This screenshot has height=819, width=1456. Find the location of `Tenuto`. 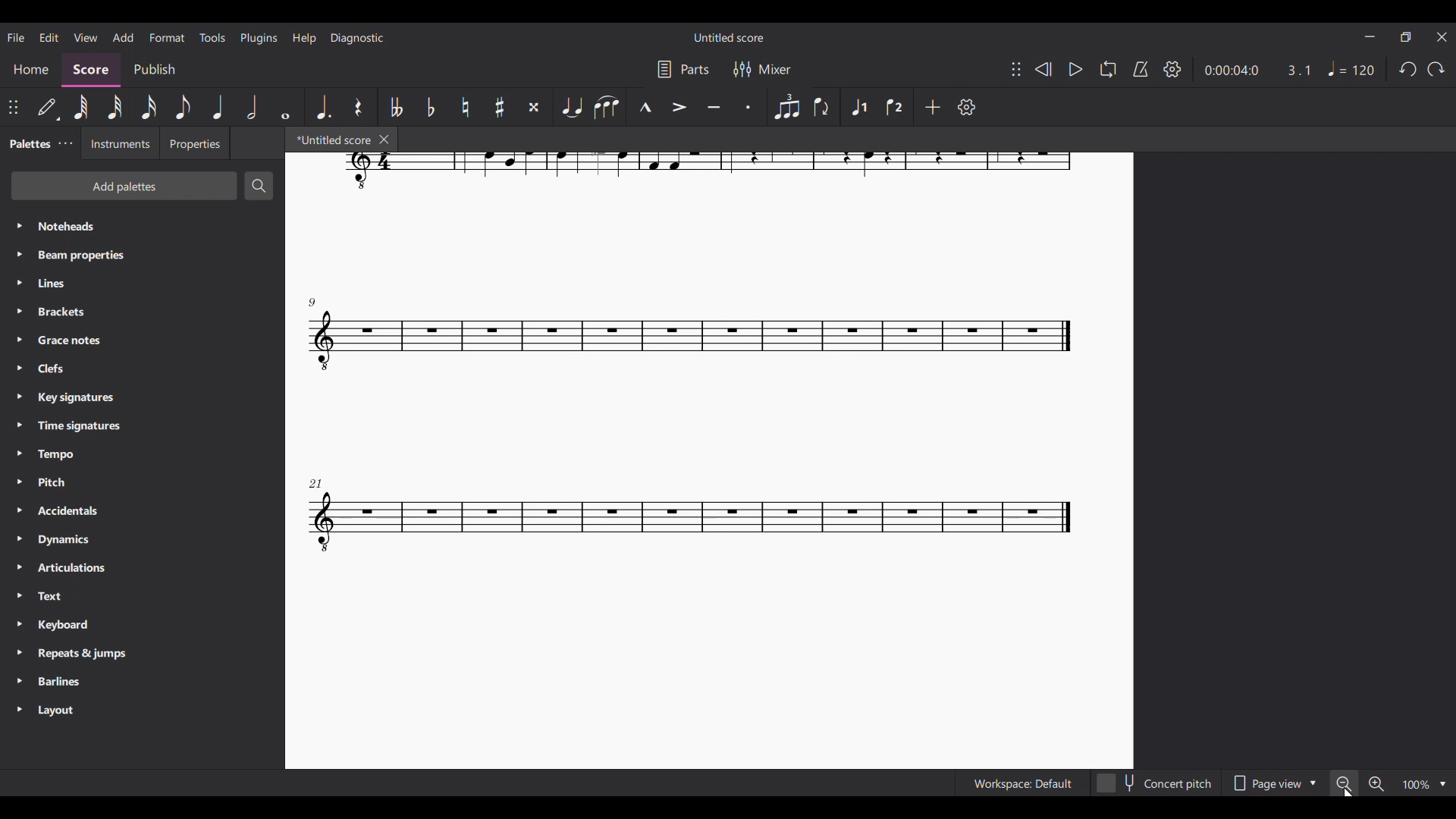

Tenuto is located at coordinates (714, 107).